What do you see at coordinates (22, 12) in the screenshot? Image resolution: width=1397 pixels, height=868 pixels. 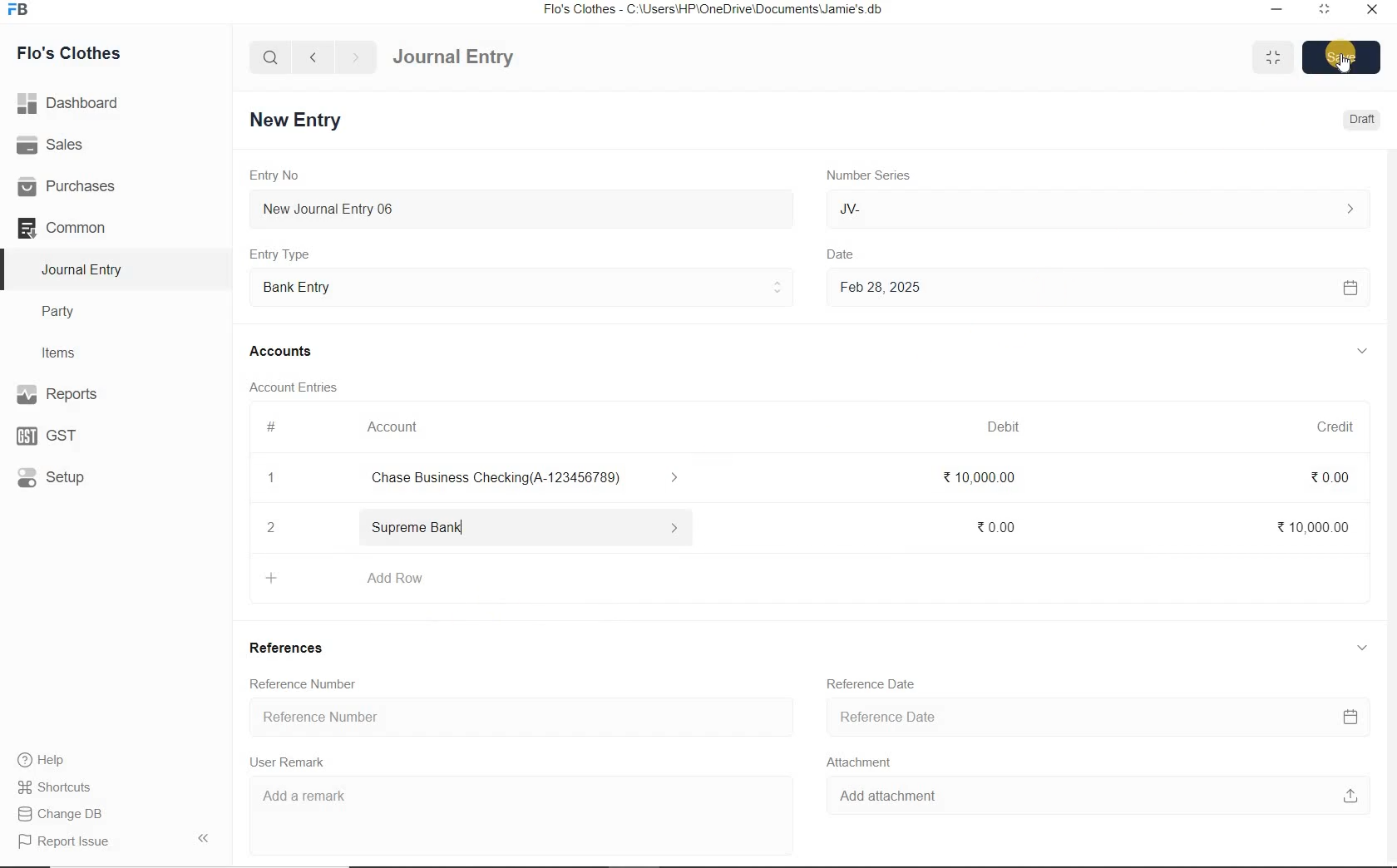 I see `Frappe Books logo` at bounding box center [22, 12].